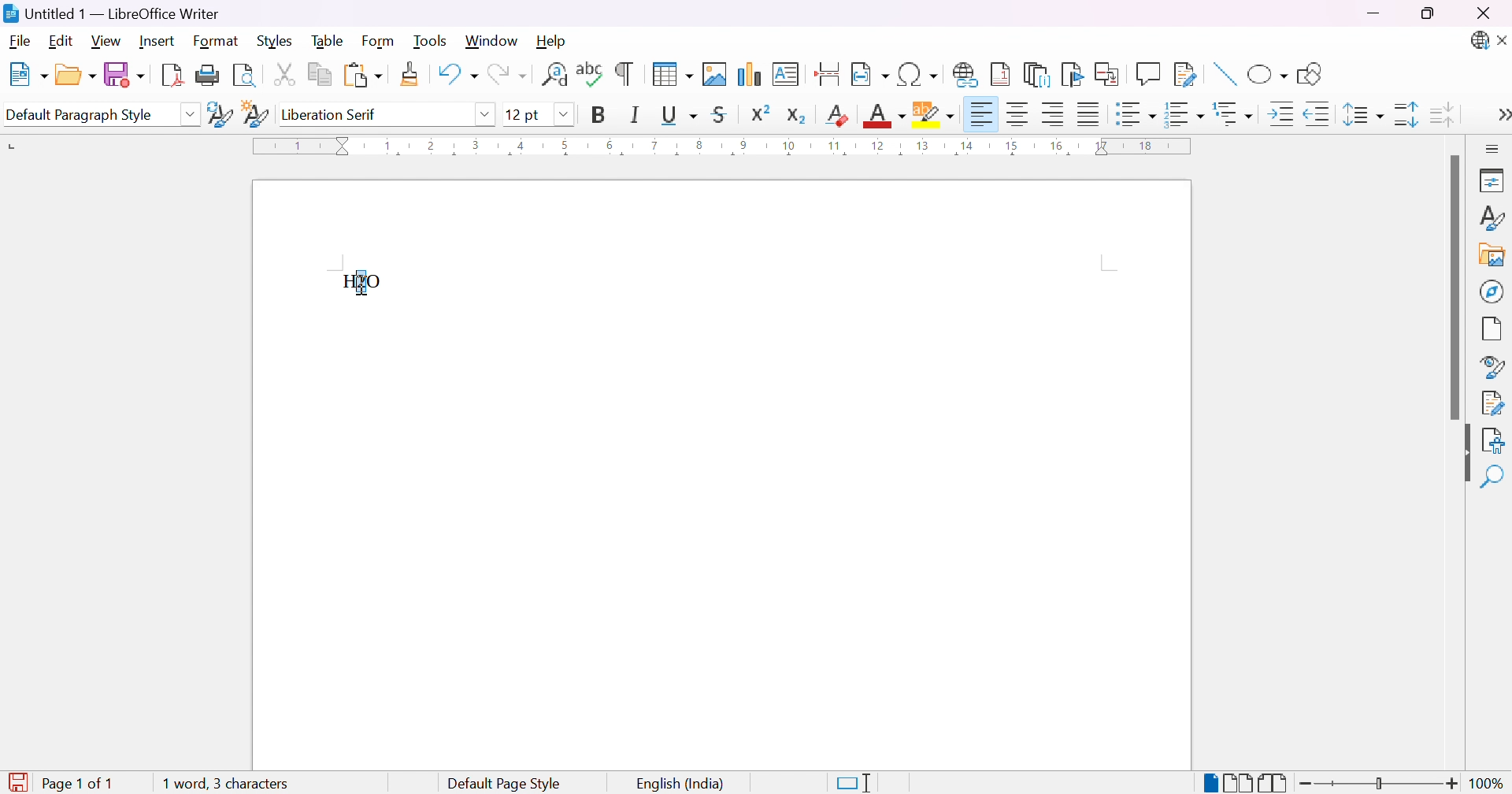 This screenshot has height=794, width=1512. What do you see at coordinates (171, 74) in the screenshot?
I see `Export as PDF` at bounding box center [171, 74].